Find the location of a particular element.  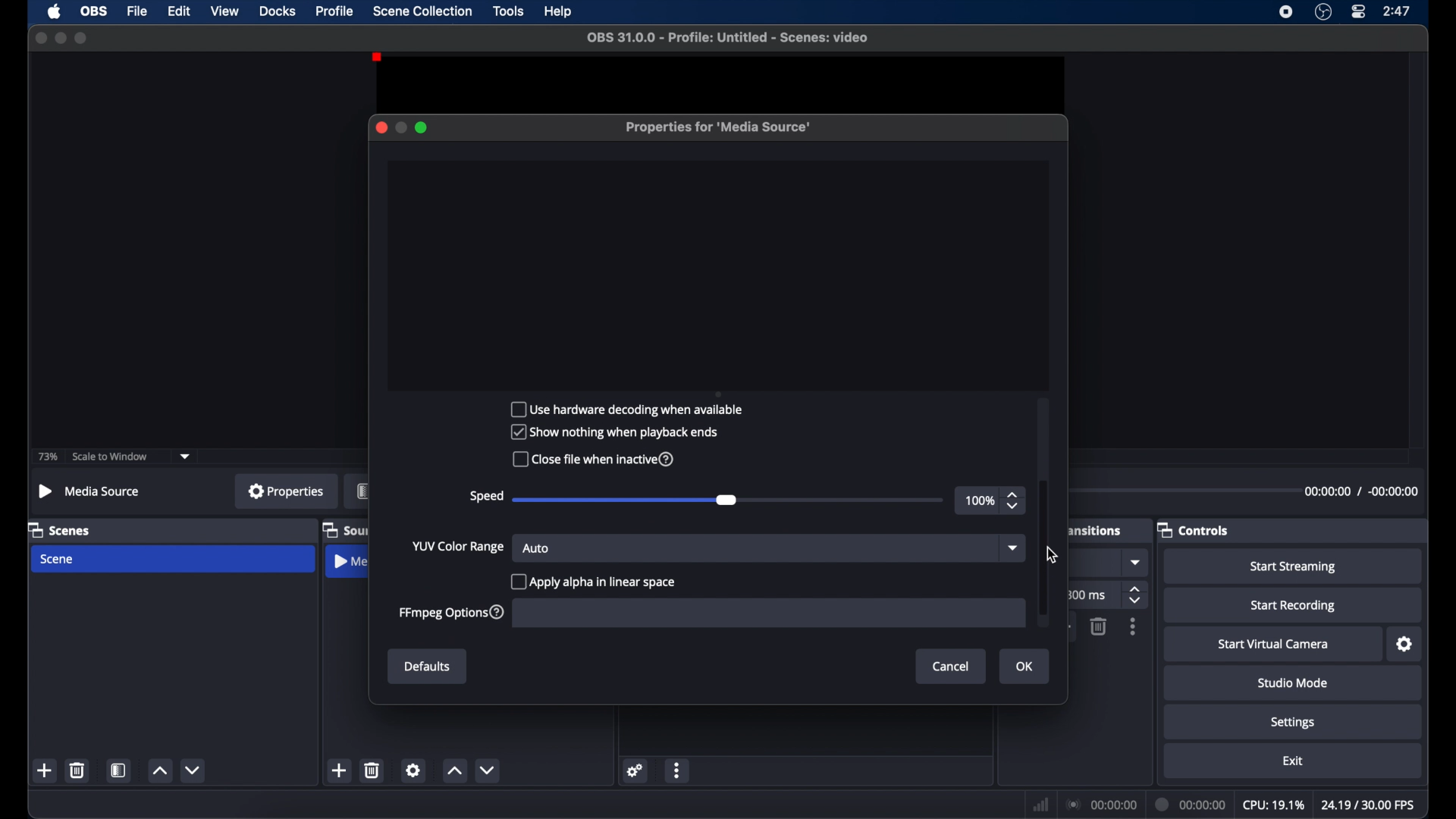

ffmpeg options is located at coordinates (453, 613).